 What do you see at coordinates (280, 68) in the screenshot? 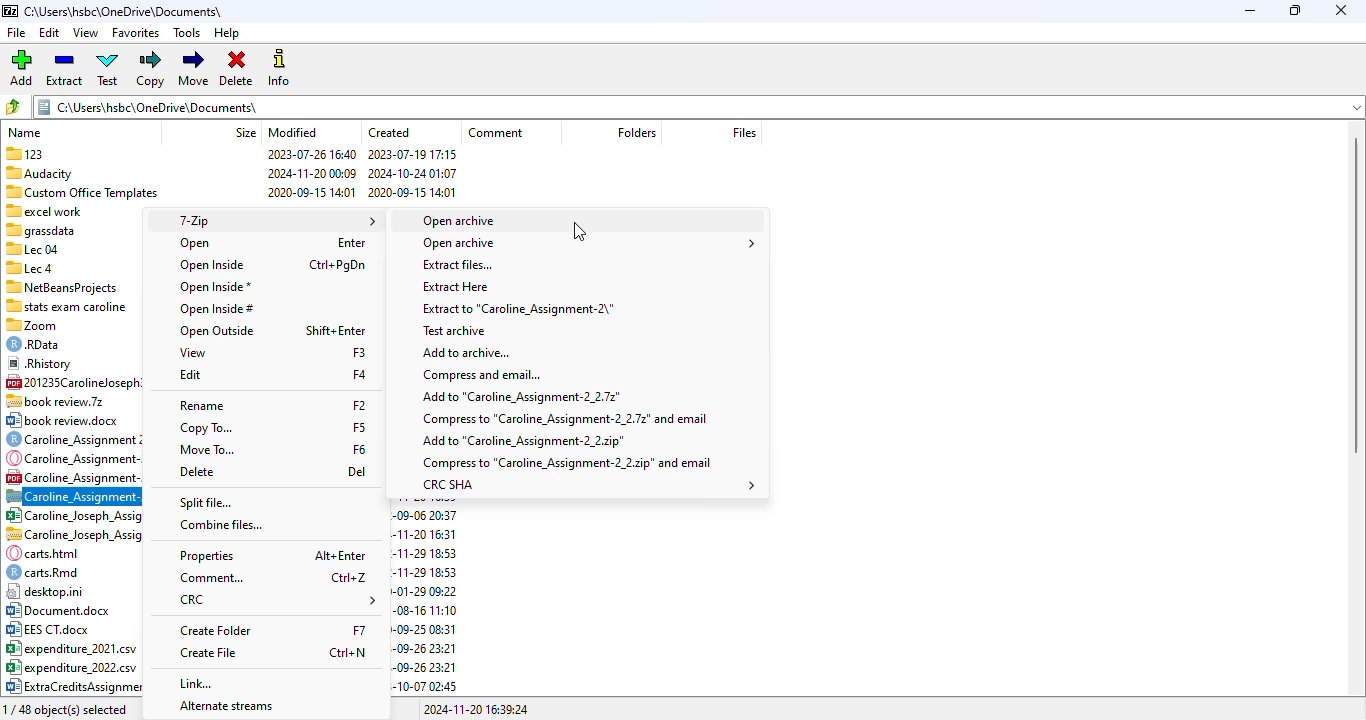
I see `info` at bounding box center [280, 68].